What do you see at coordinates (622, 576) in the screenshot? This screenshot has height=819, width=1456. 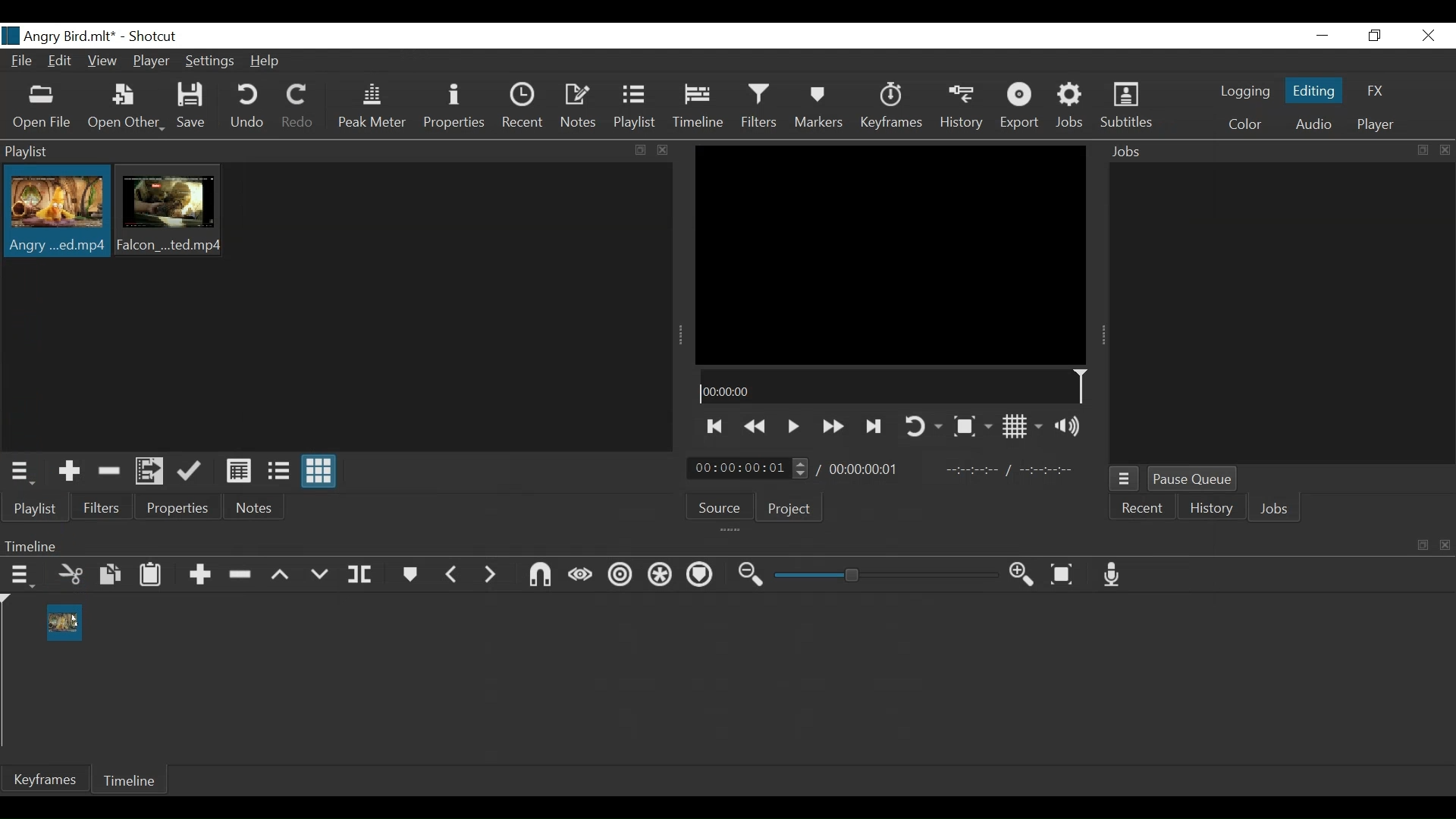 I see `Ripple` at bounding box center [622, 576].